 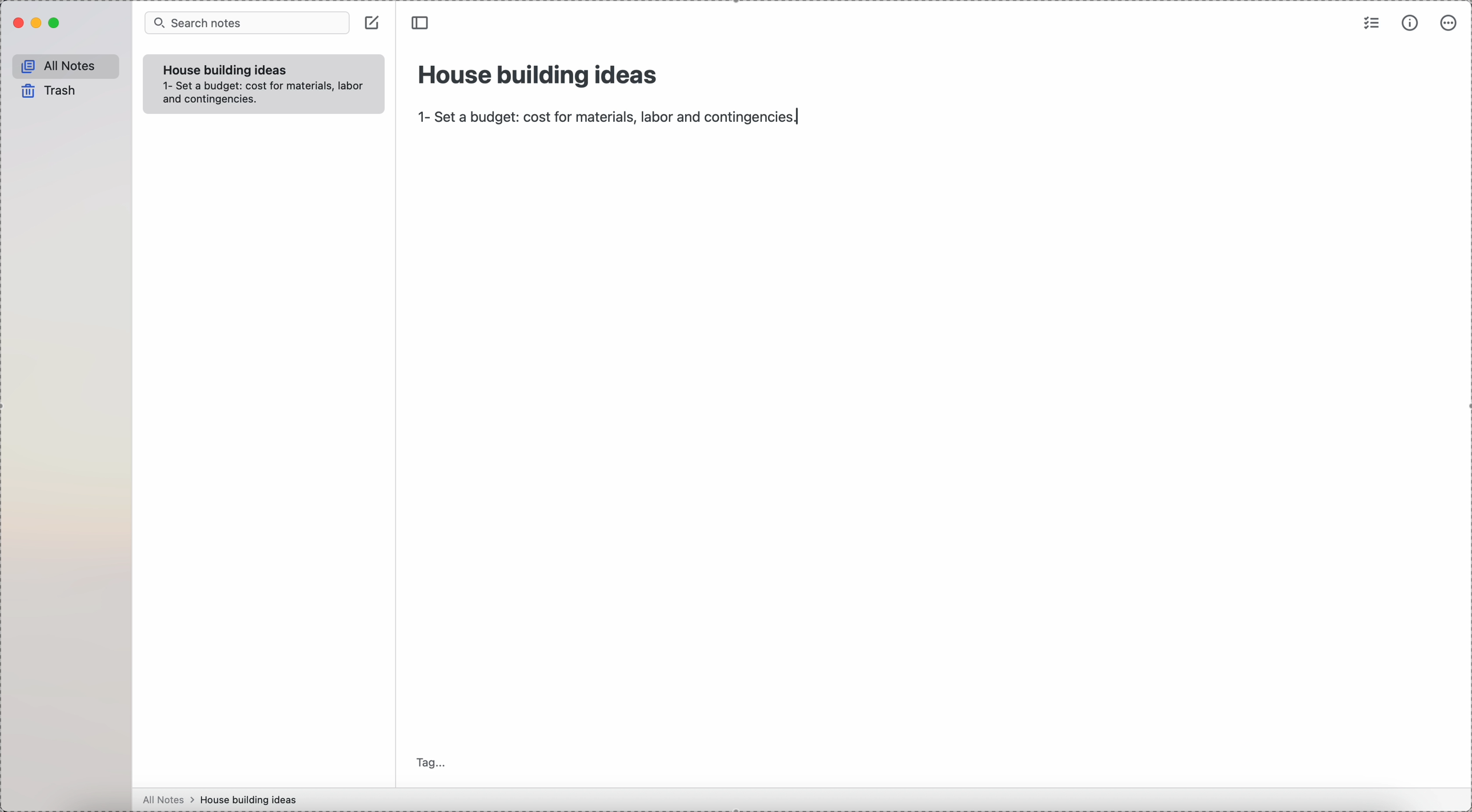 What do you see at coordinates (18, 23) in the screenshot?
I see `close Simplenote` at bounding box center [18, 23].